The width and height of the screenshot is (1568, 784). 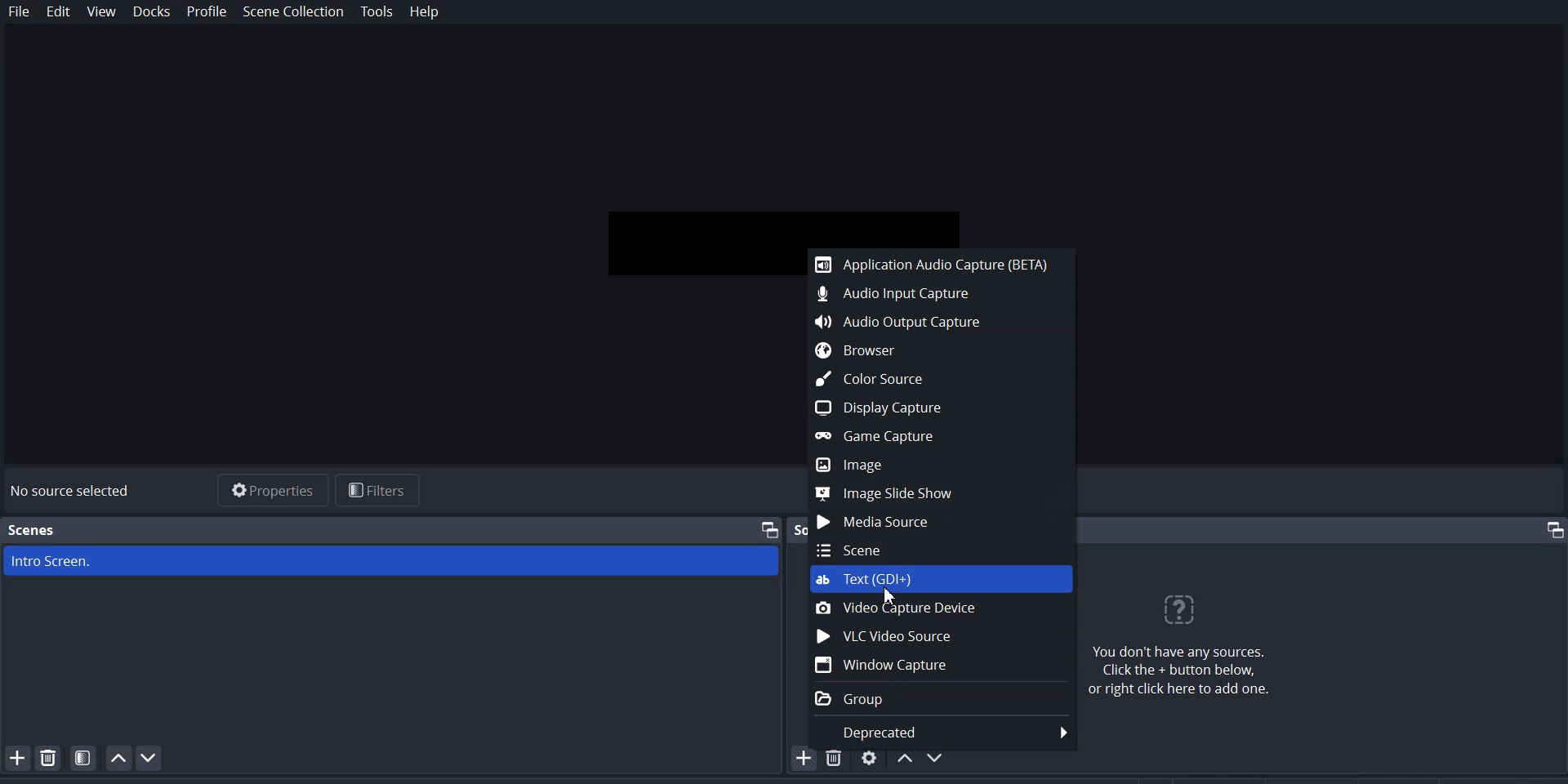 I want to click on Image screen, so click(x=391, y=561).